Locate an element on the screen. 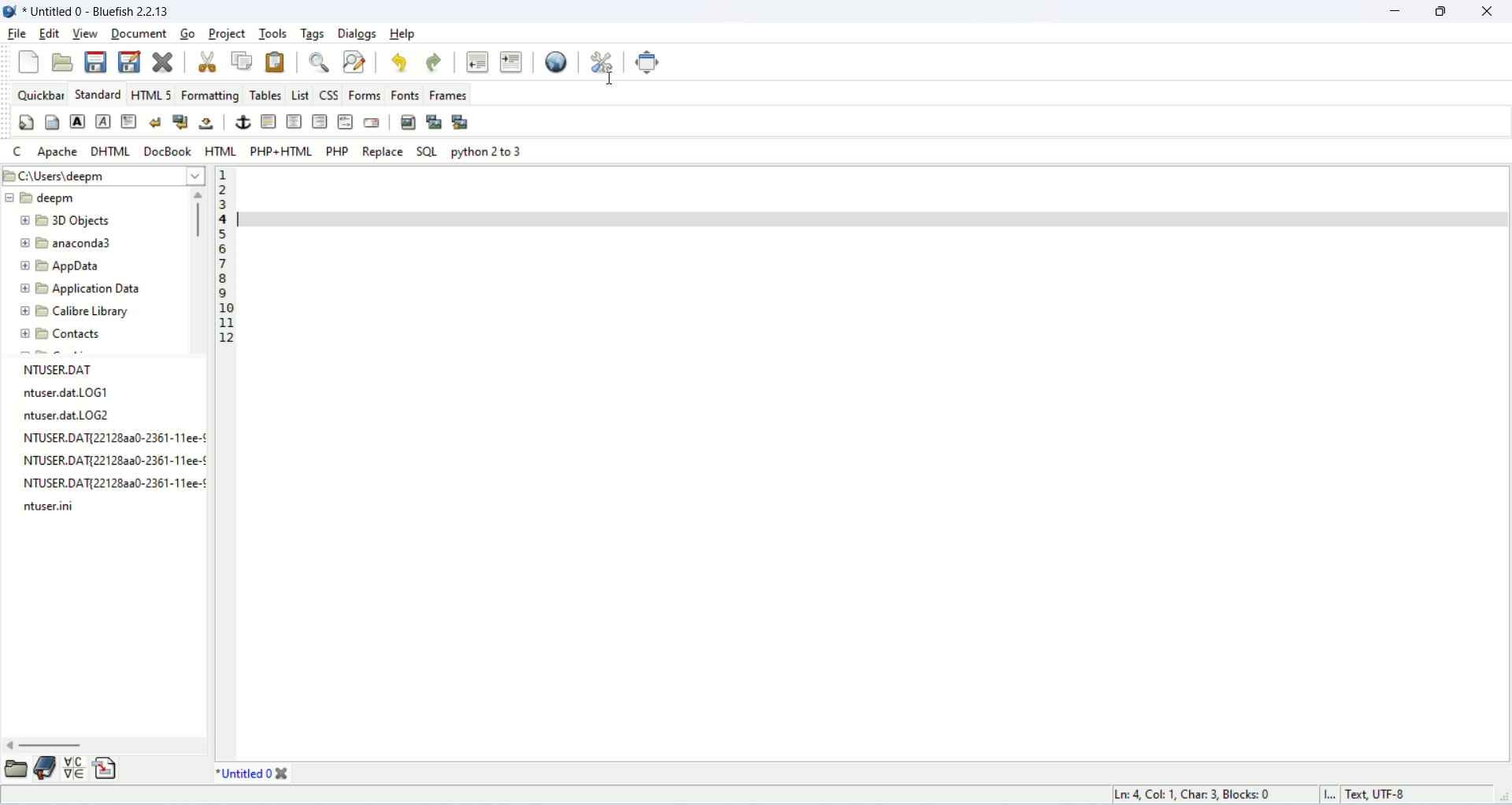 This screenshot has height=805, width=1512. STANDARD is located at coordinates (98, 93).